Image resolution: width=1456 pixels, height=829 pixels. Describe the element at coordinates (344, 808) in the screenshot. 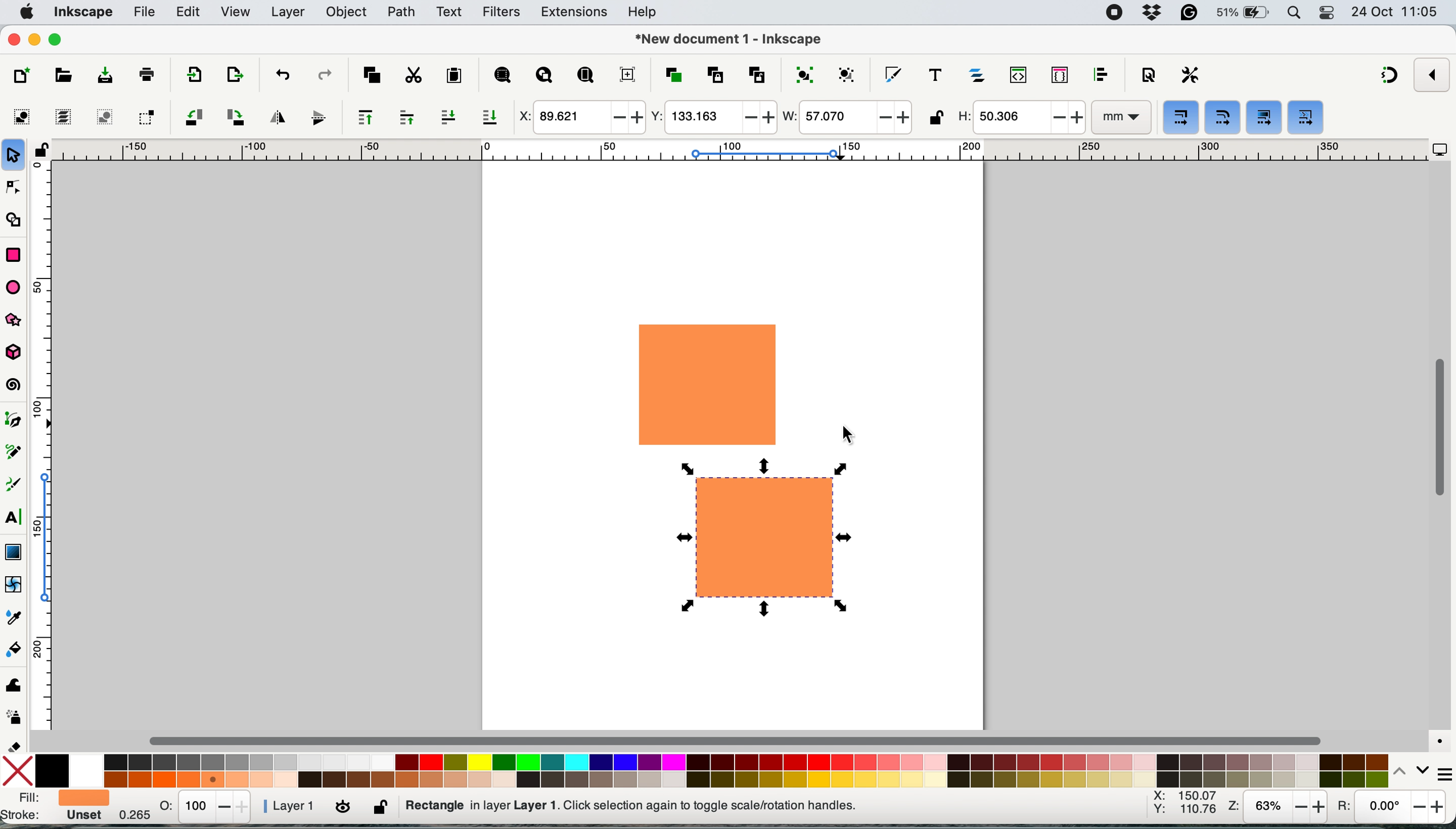

I see `toggle current layer visibility` at that location.